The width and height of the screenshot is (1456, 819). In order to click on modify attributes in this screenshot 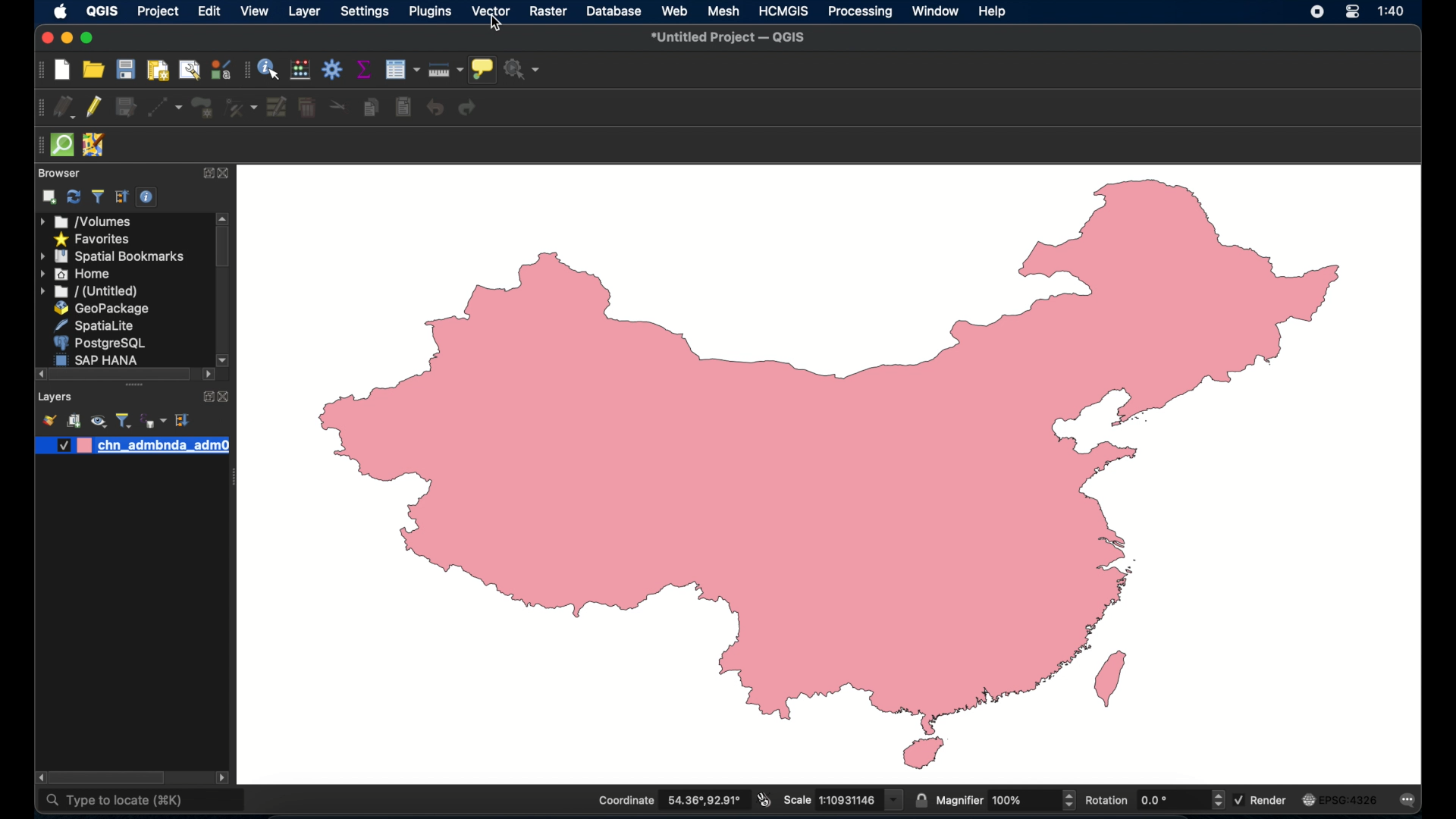, I will do `click(401, 69)`.